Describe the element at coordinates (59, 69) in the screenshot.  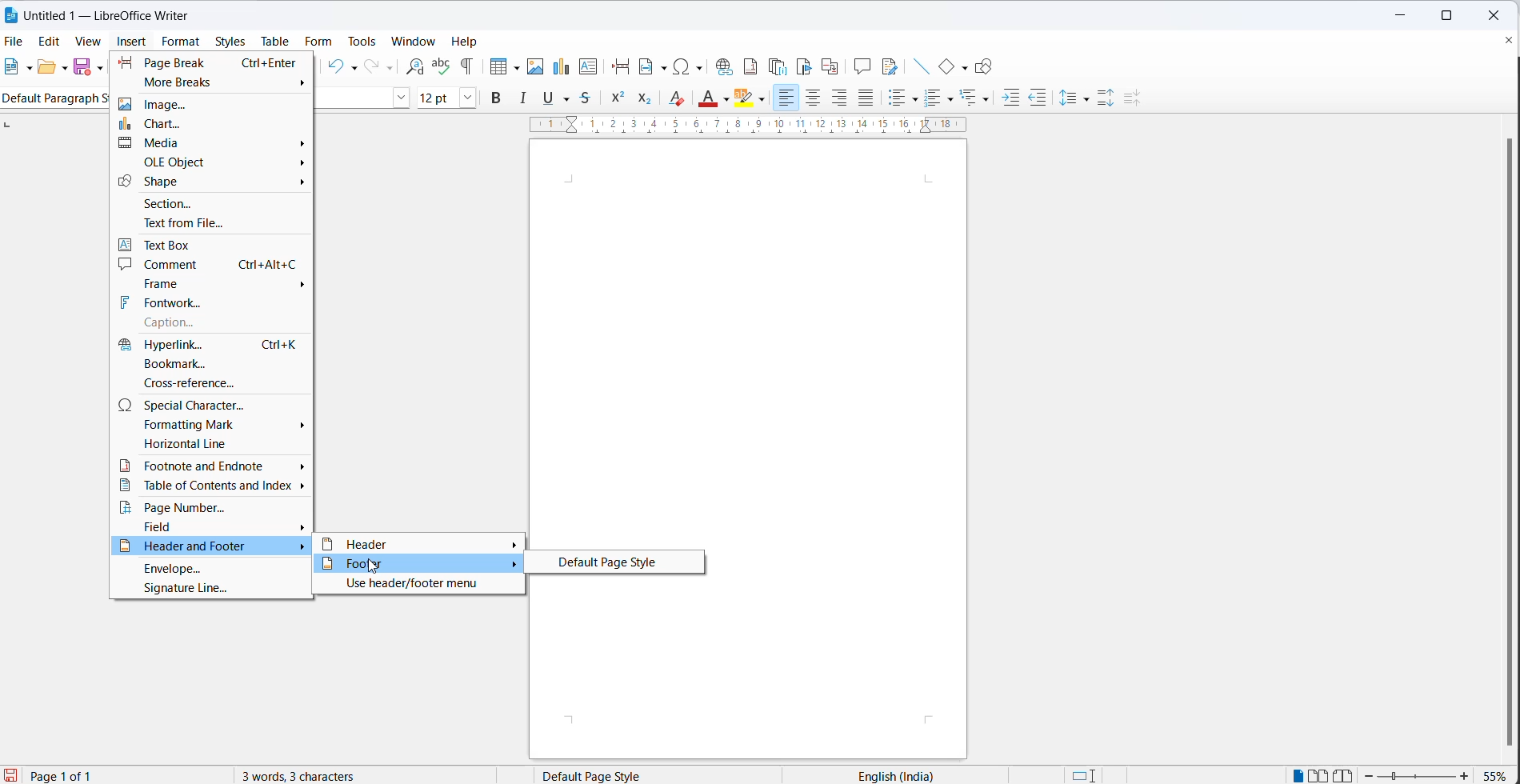
I see `open options` at that location.